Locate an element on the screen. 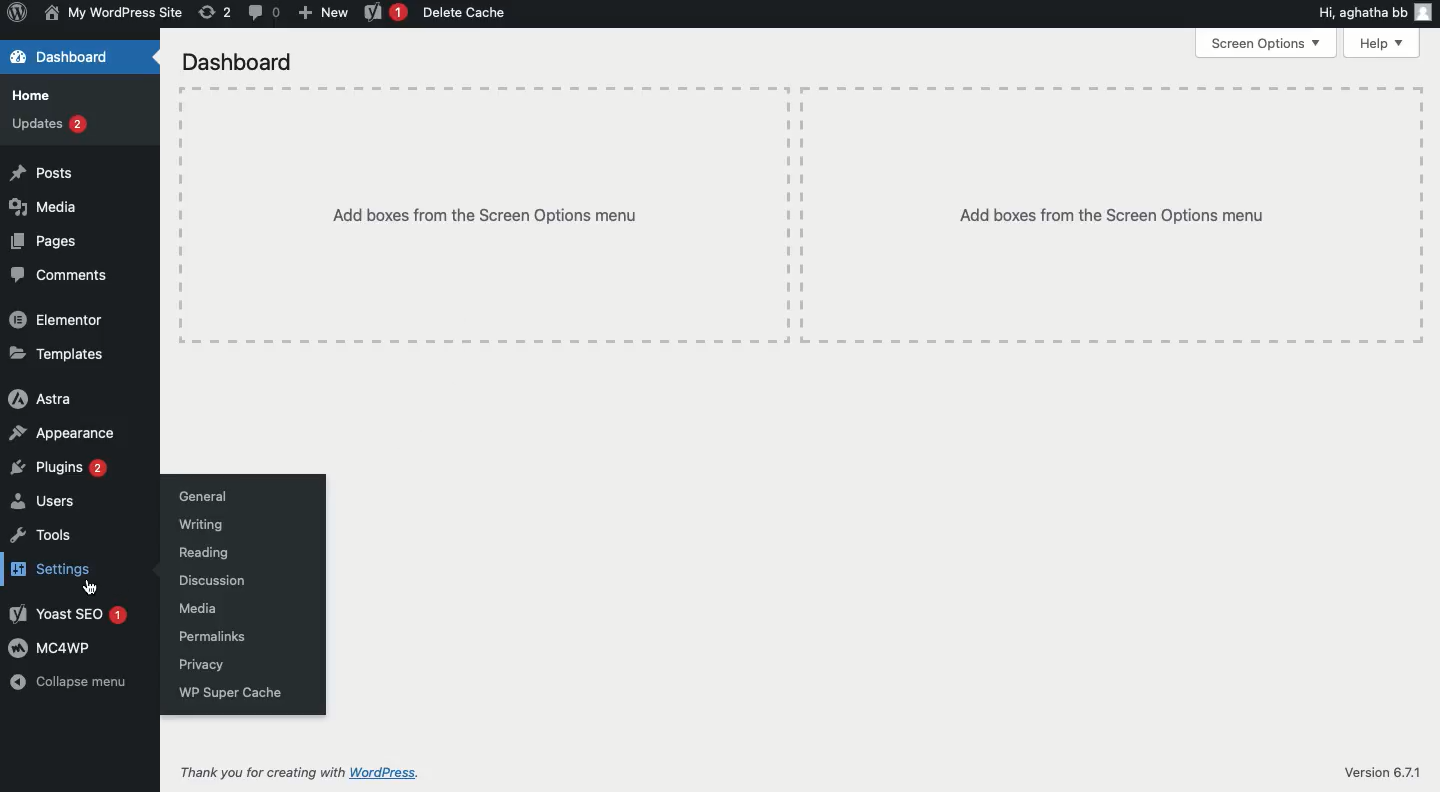 This screenshot has width=1440, height=792. Version 6.7 is located at coordinates (1377, 770).